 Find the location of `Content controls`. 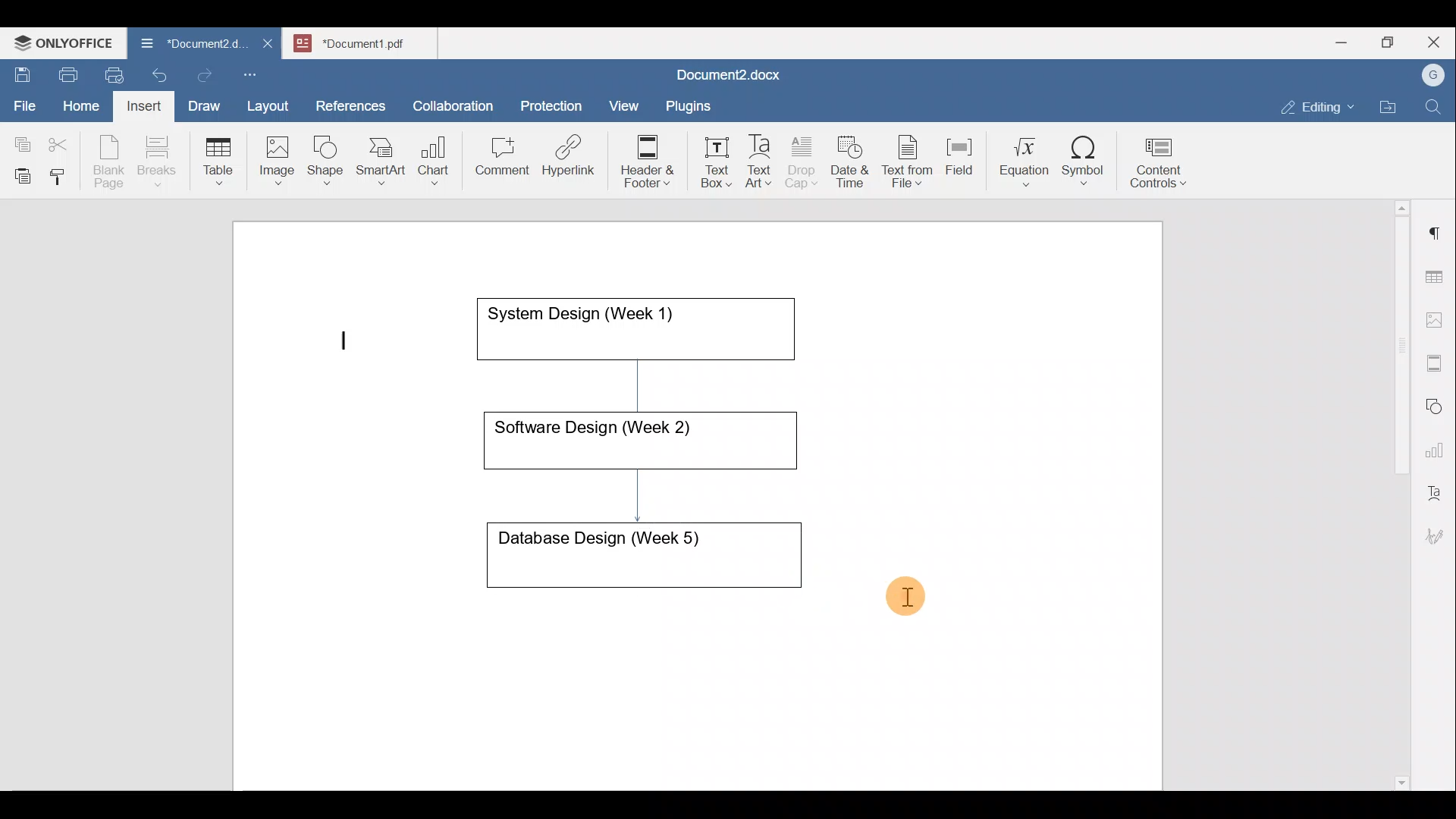

Content controls is located at coordinates (1161, 168).